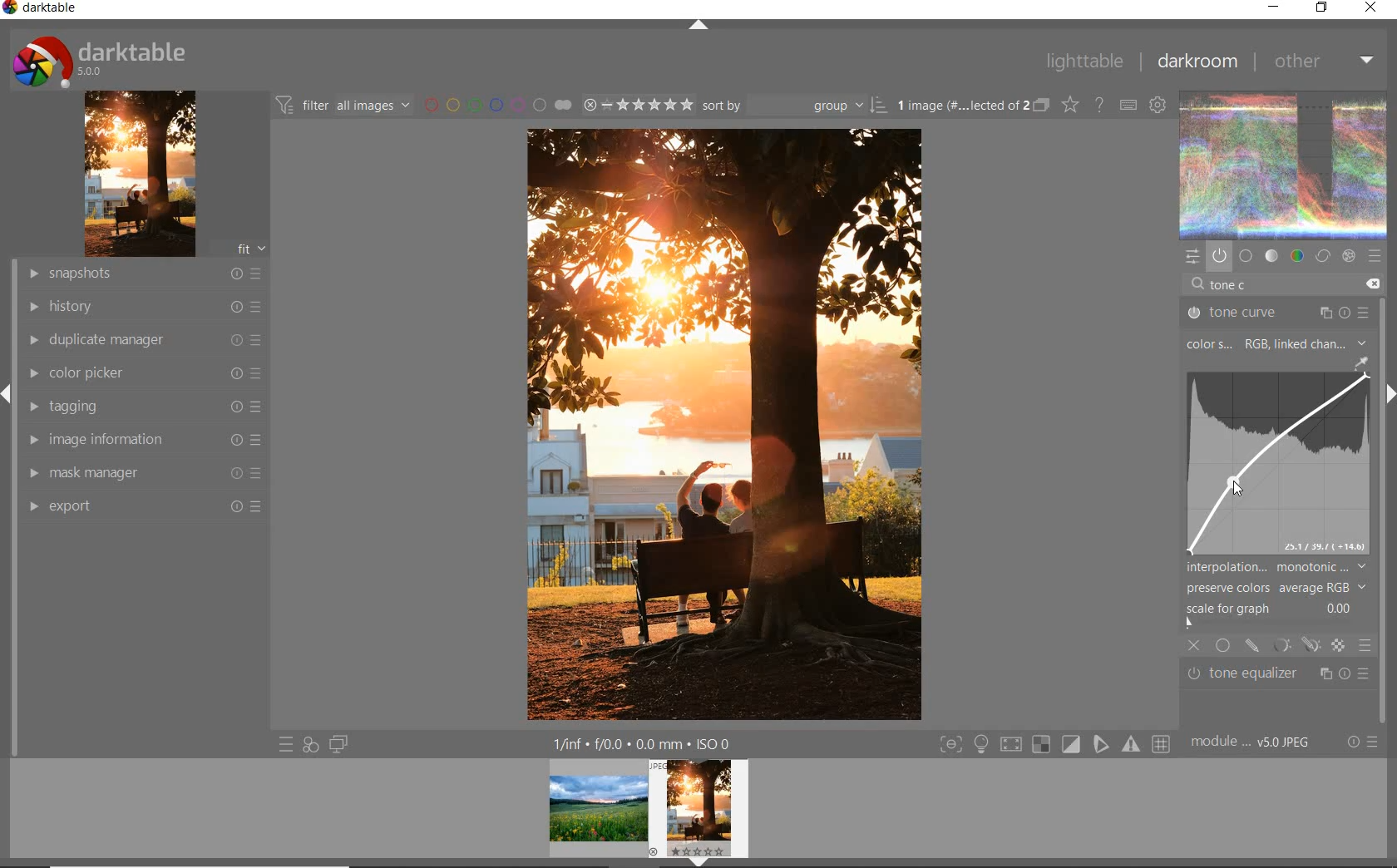 The width and height of the screenshot is (1397, 868). I want to click on image, so click(1286, 165).